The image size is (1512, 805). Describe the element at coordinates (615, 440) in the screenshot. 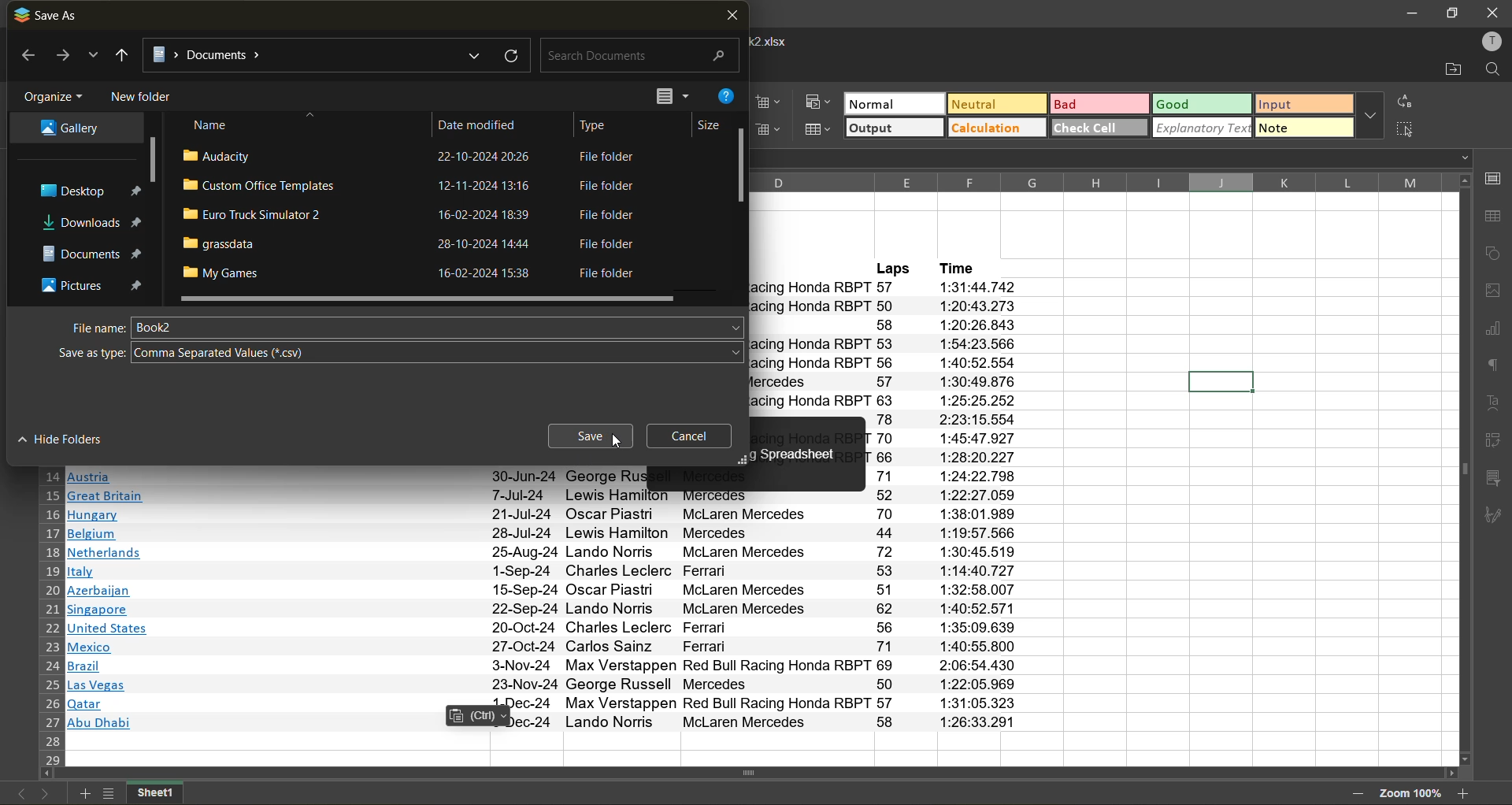

I see `Cursor` at that location.